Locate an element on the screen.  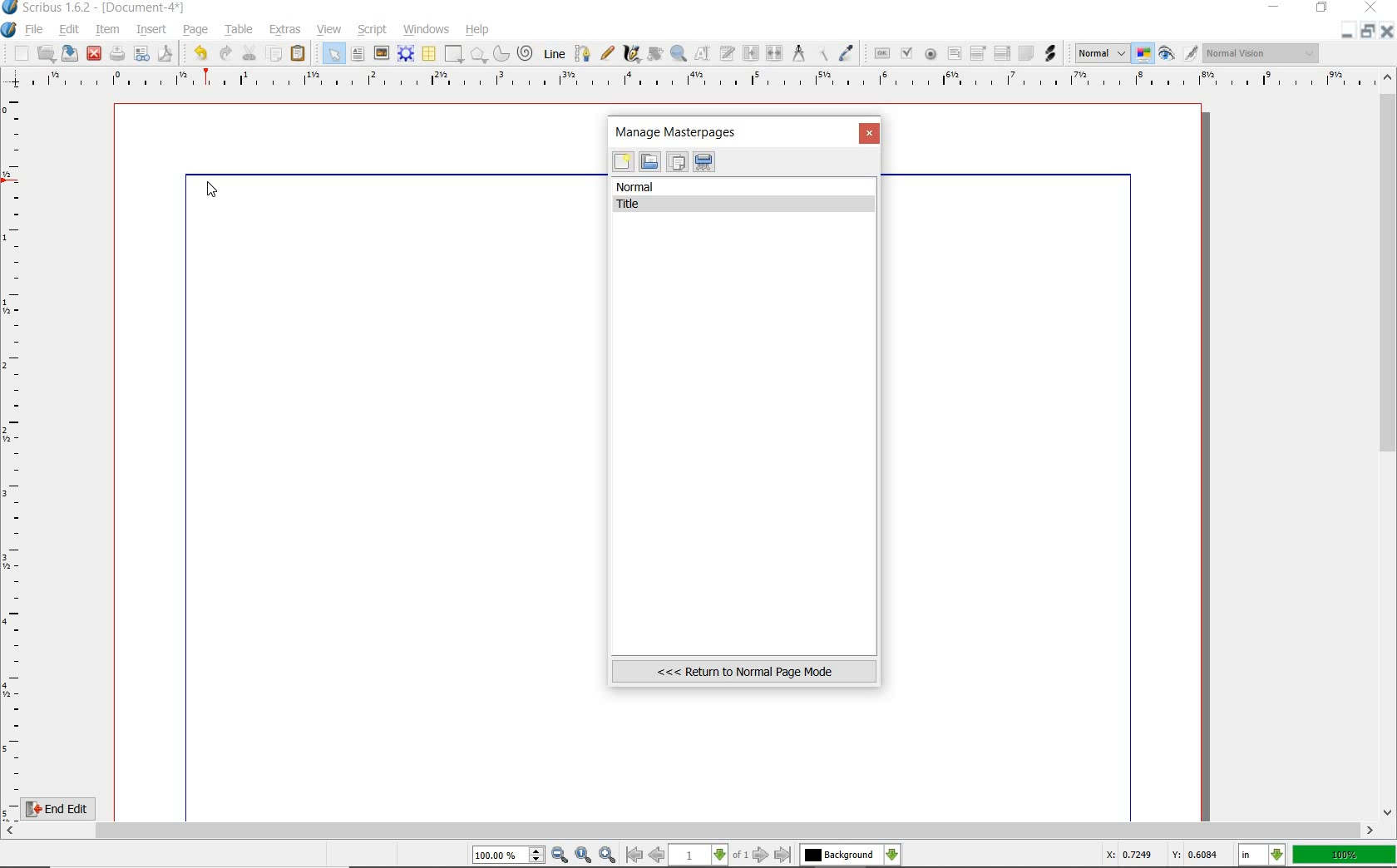
new is located at coordinates (623, 164).